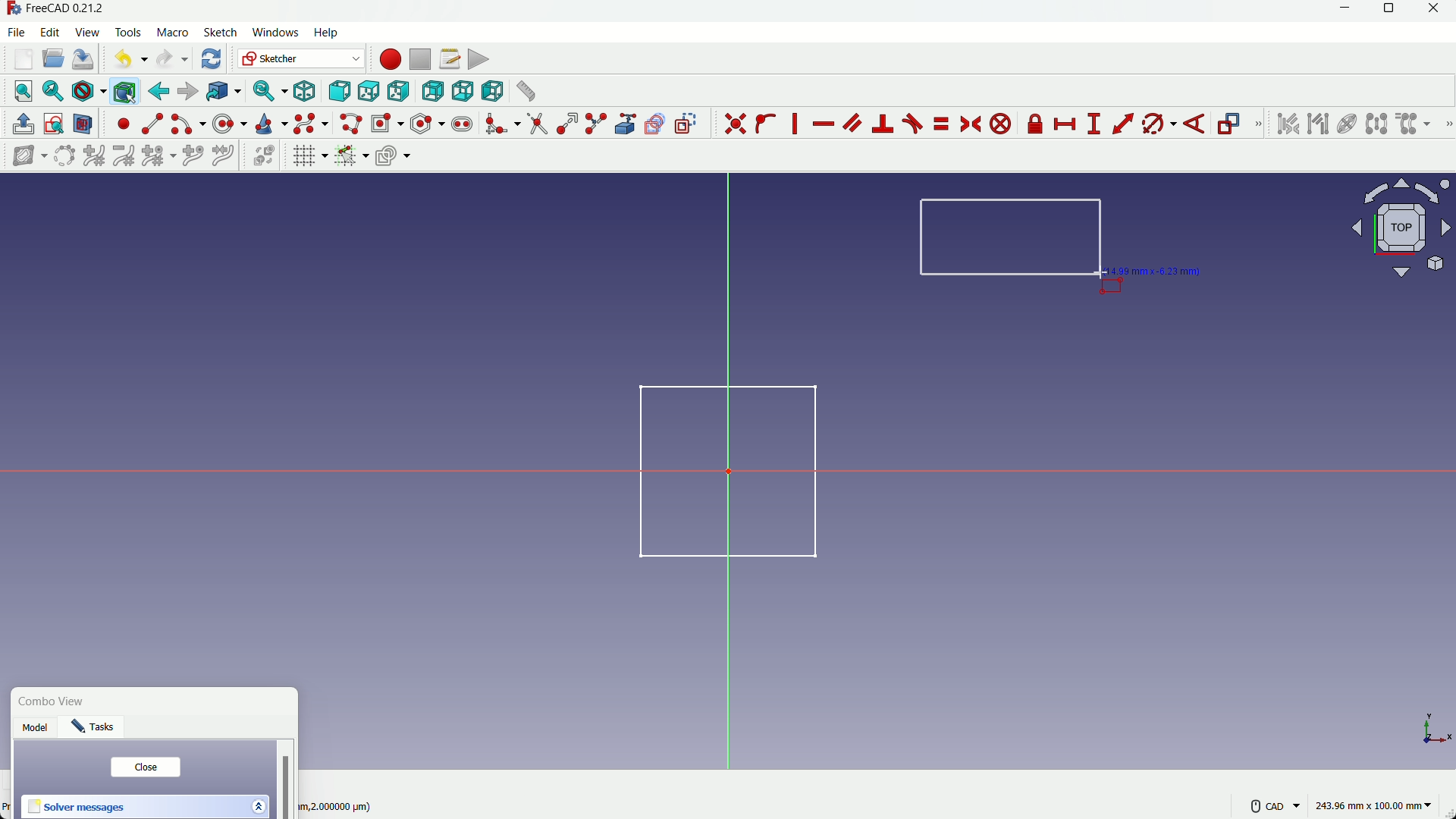  I want to click on close, so click(145, 767).